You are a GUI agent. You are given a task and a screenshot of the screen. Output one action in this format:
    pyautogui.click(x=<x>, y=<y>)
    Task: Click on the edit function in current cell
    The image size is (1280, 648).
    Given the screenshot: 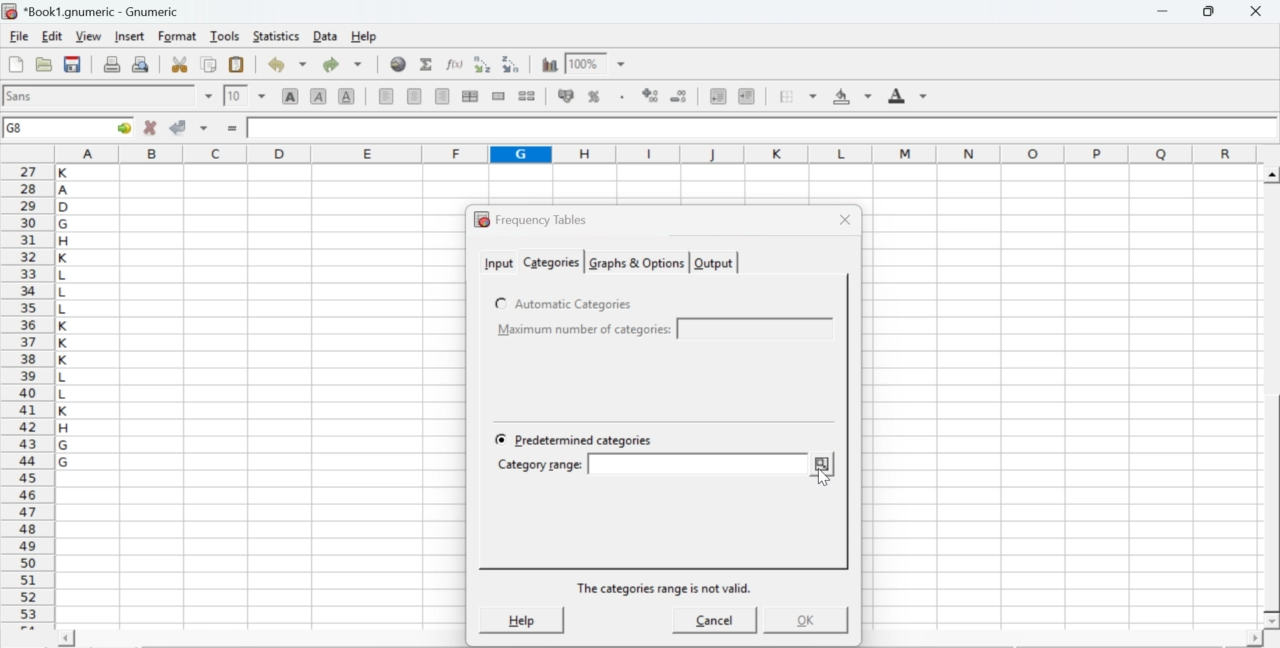 What is the action you would take?
    pyautogui.click(x=456, y=63)
    